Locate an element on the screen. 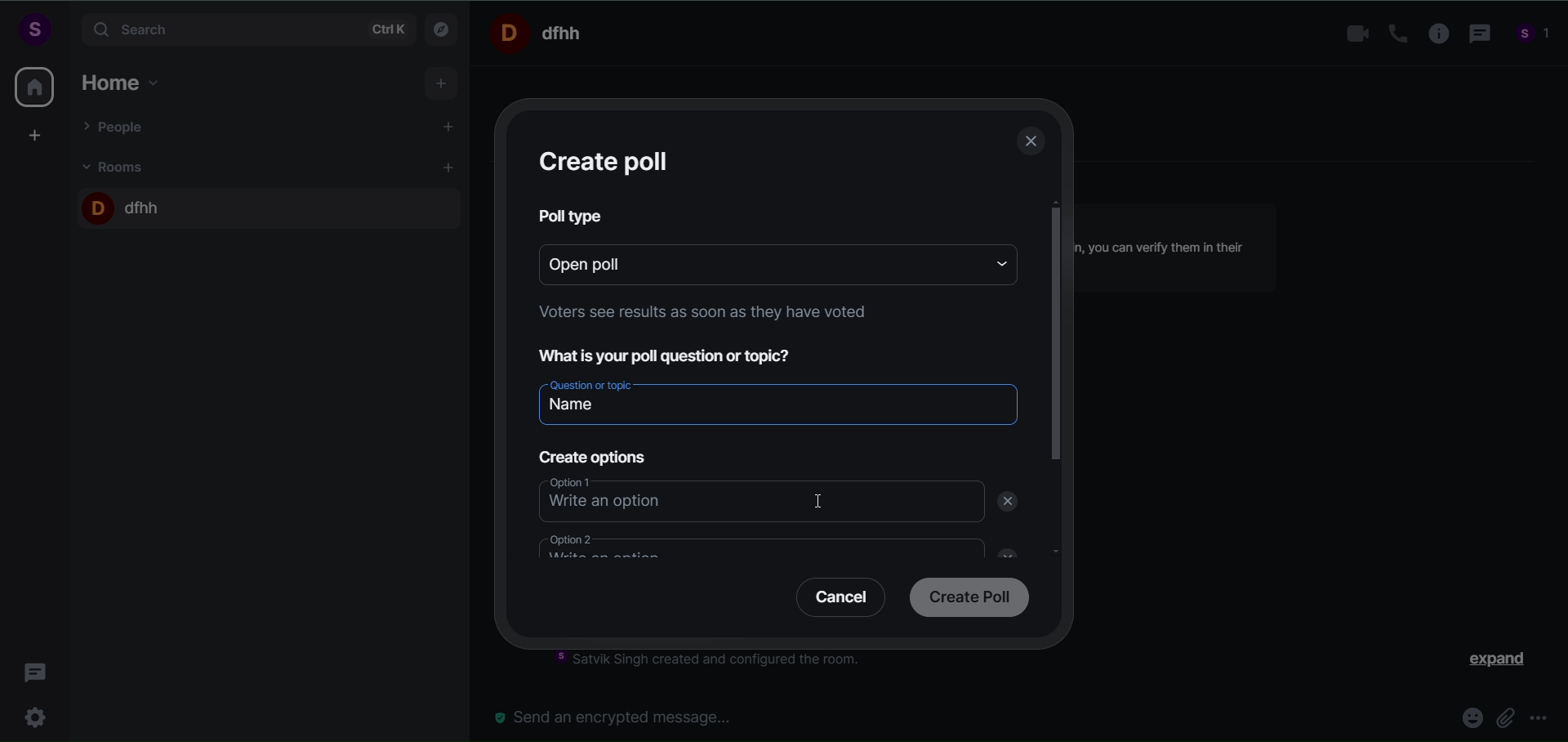  user is located at coordinates (33, 29).